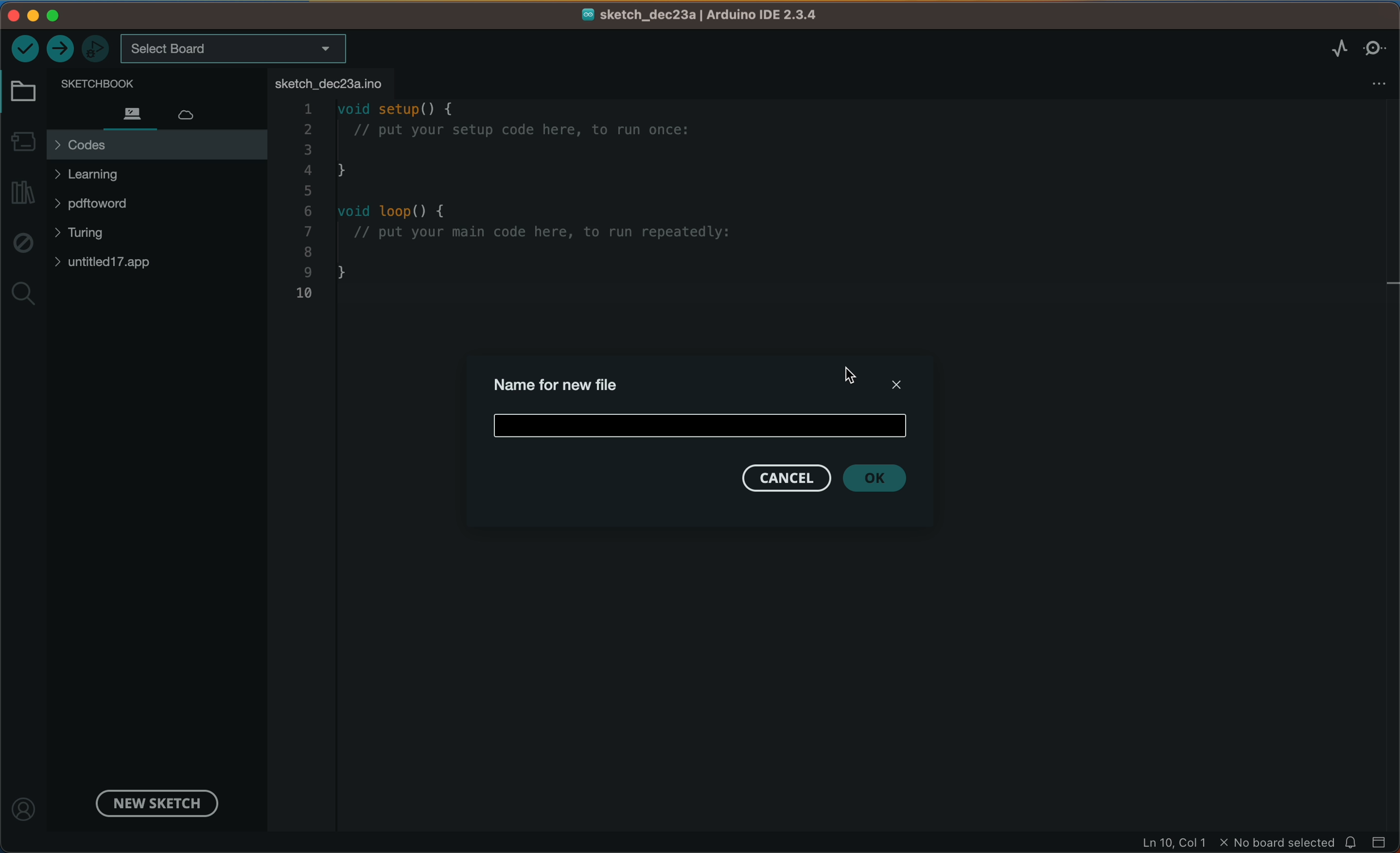  Describe the element at coordinates (701, 15) in the screenshot. I see `file name` at that location.